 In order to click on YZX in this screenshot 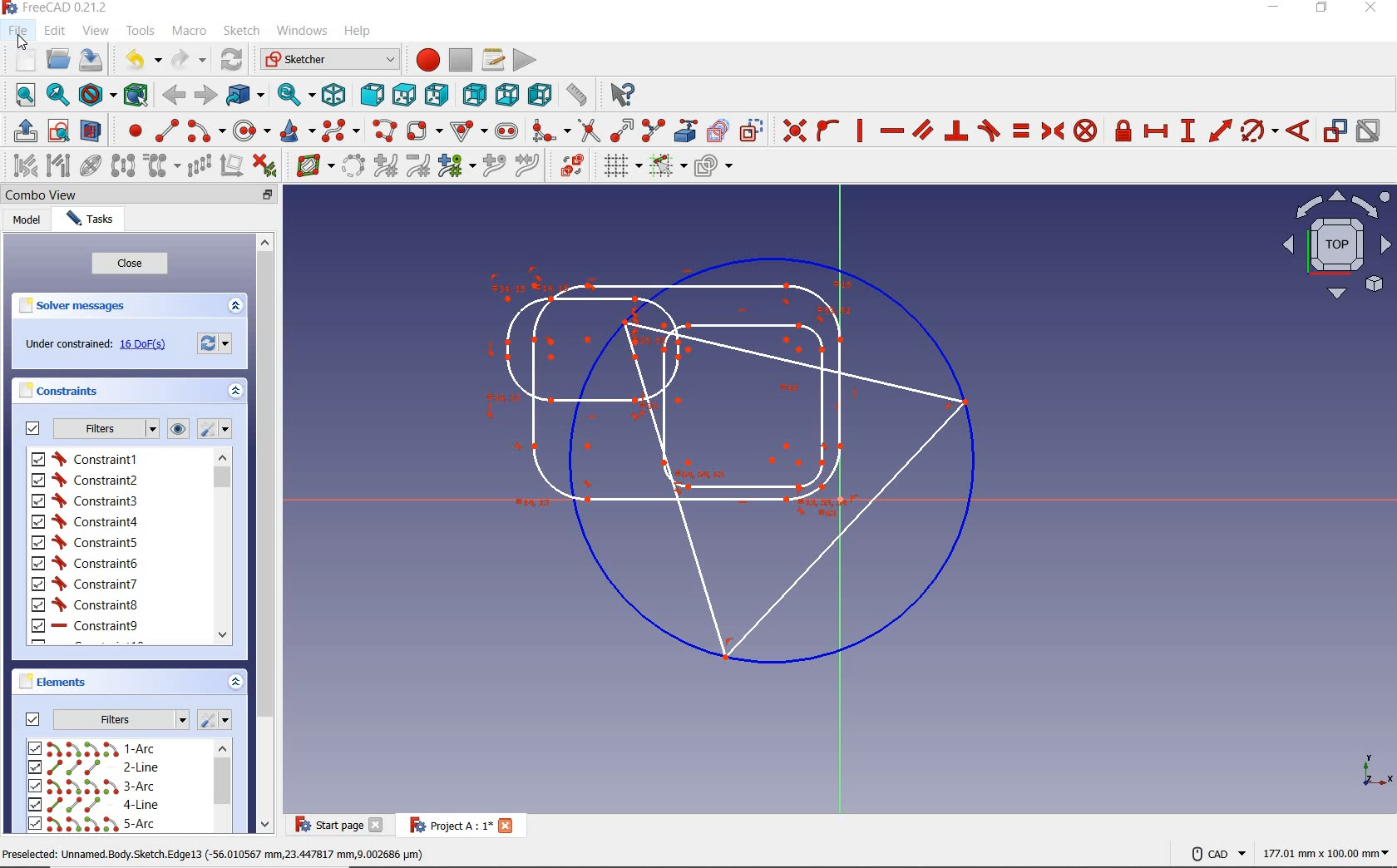, I will do `click(1377, 767)`.